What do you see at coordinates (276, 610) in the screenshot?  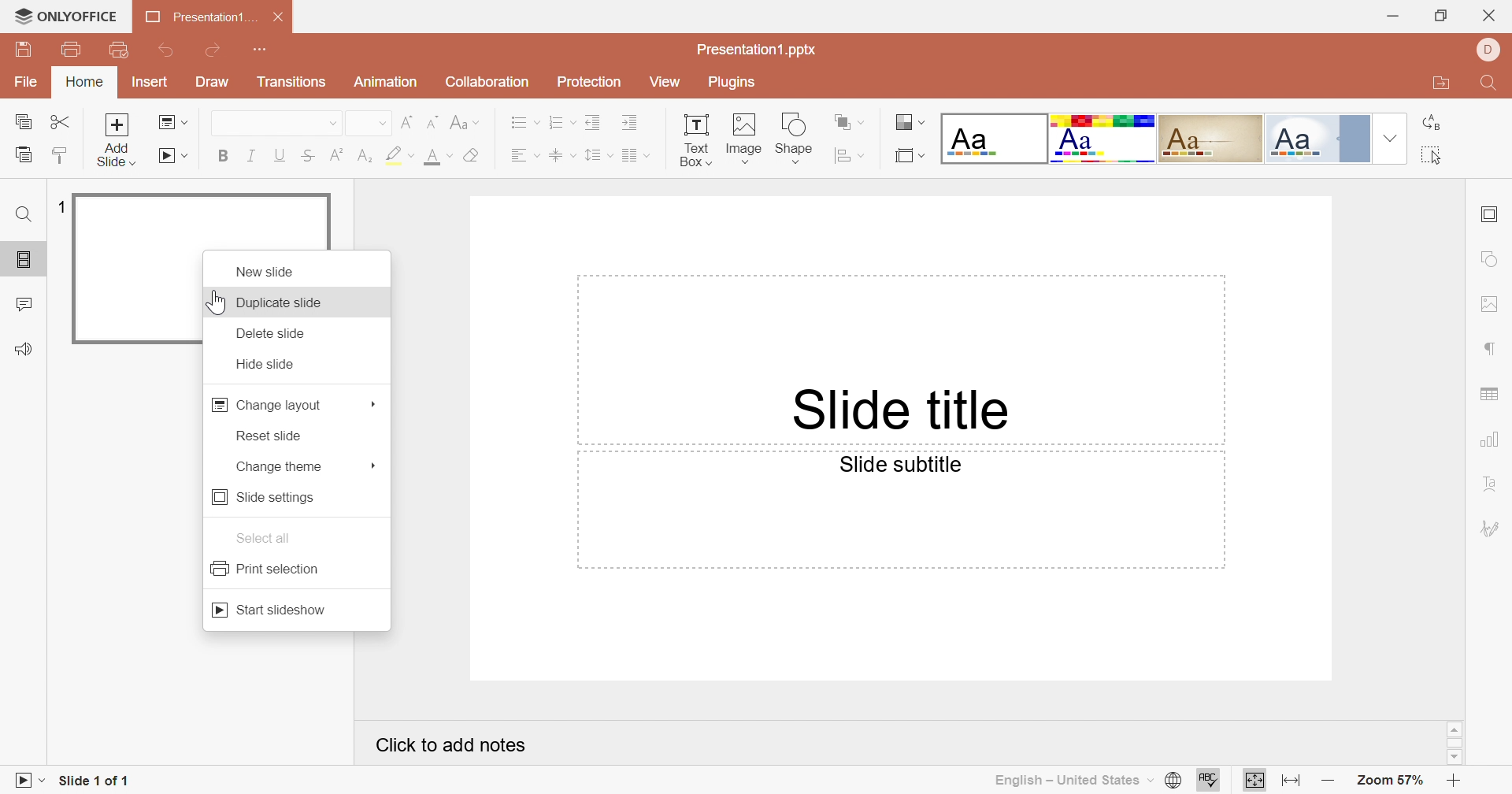 I see `Start slideshow` at bounding box center [276, 610].